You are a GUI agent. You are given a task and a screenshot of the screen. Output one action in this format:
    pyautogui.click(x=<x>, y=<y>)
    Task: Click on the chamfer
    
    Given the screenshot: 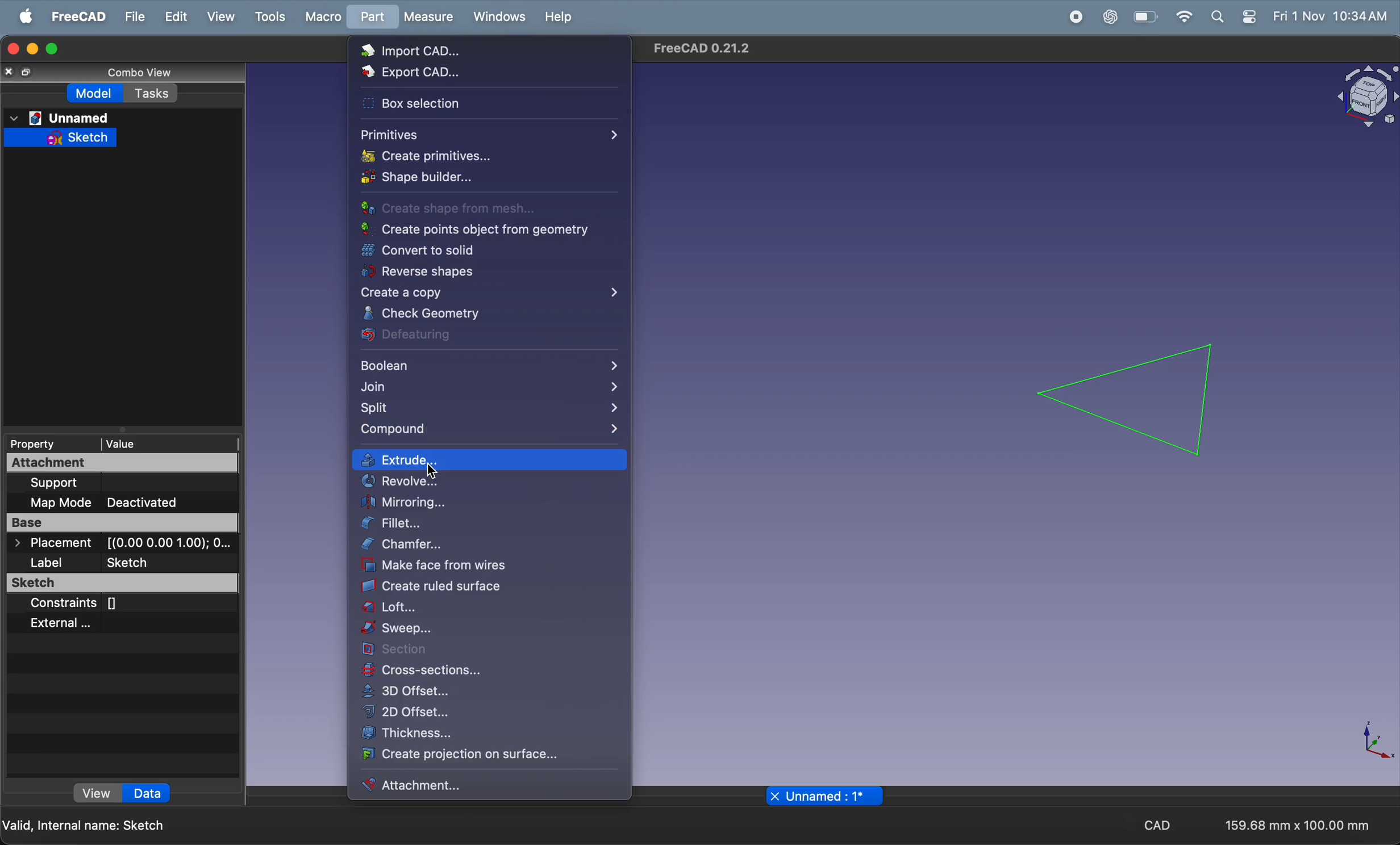 What is the action you would take?
    pyautogui.click(x=489, y=546)
    